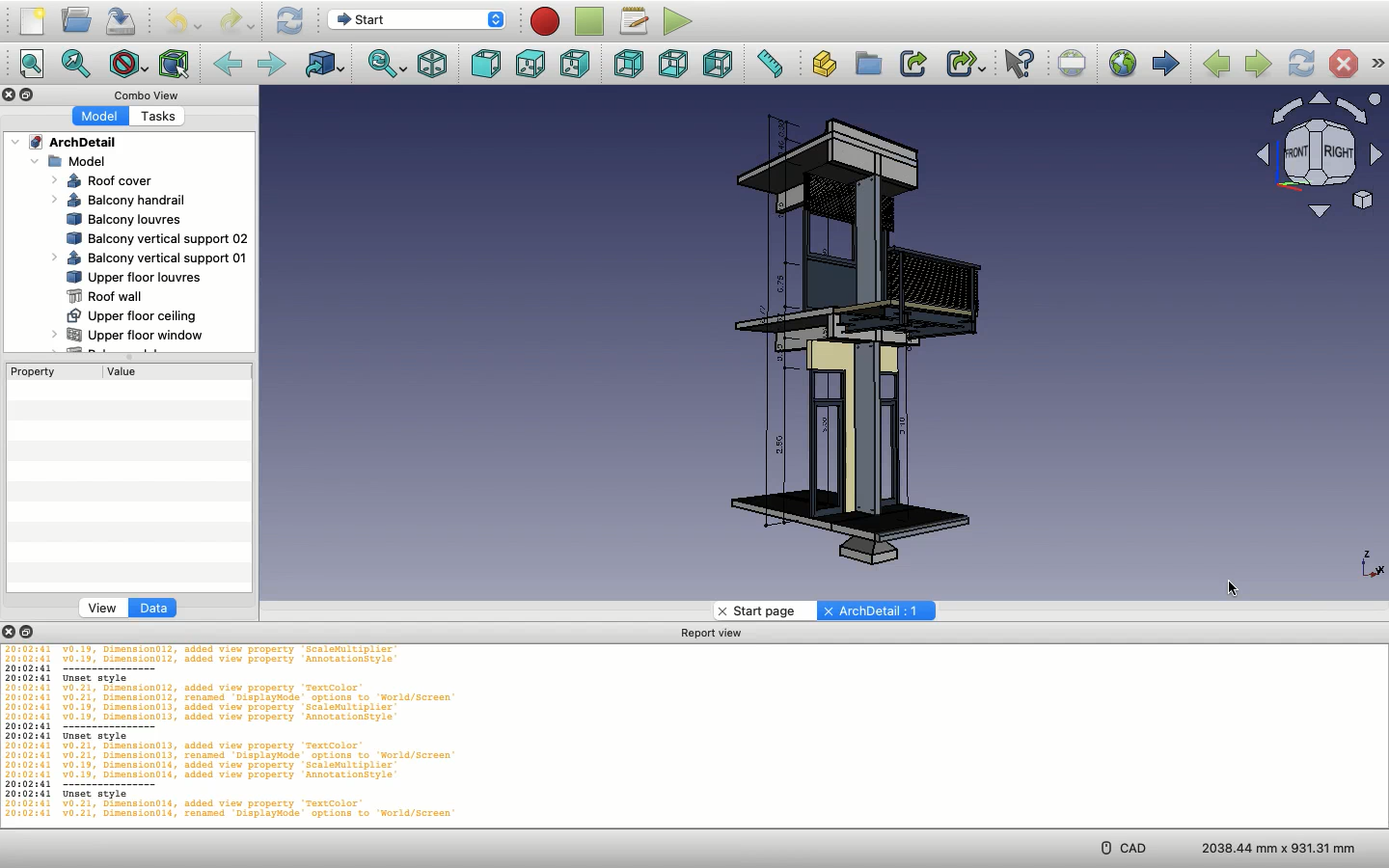  I want to click on Save, so click(123, 20).